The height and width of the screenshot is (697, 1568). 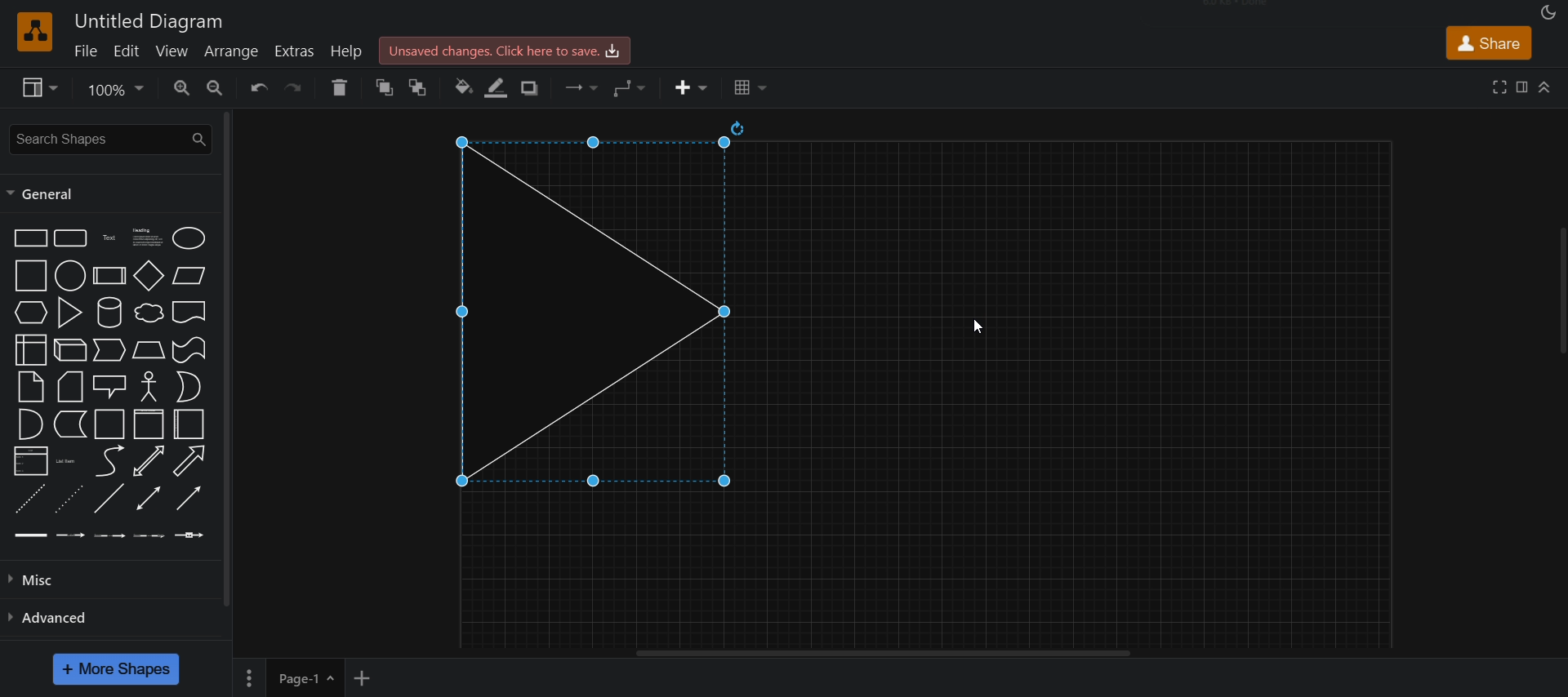 I want to click on page 1, so click(x=284, y=675).